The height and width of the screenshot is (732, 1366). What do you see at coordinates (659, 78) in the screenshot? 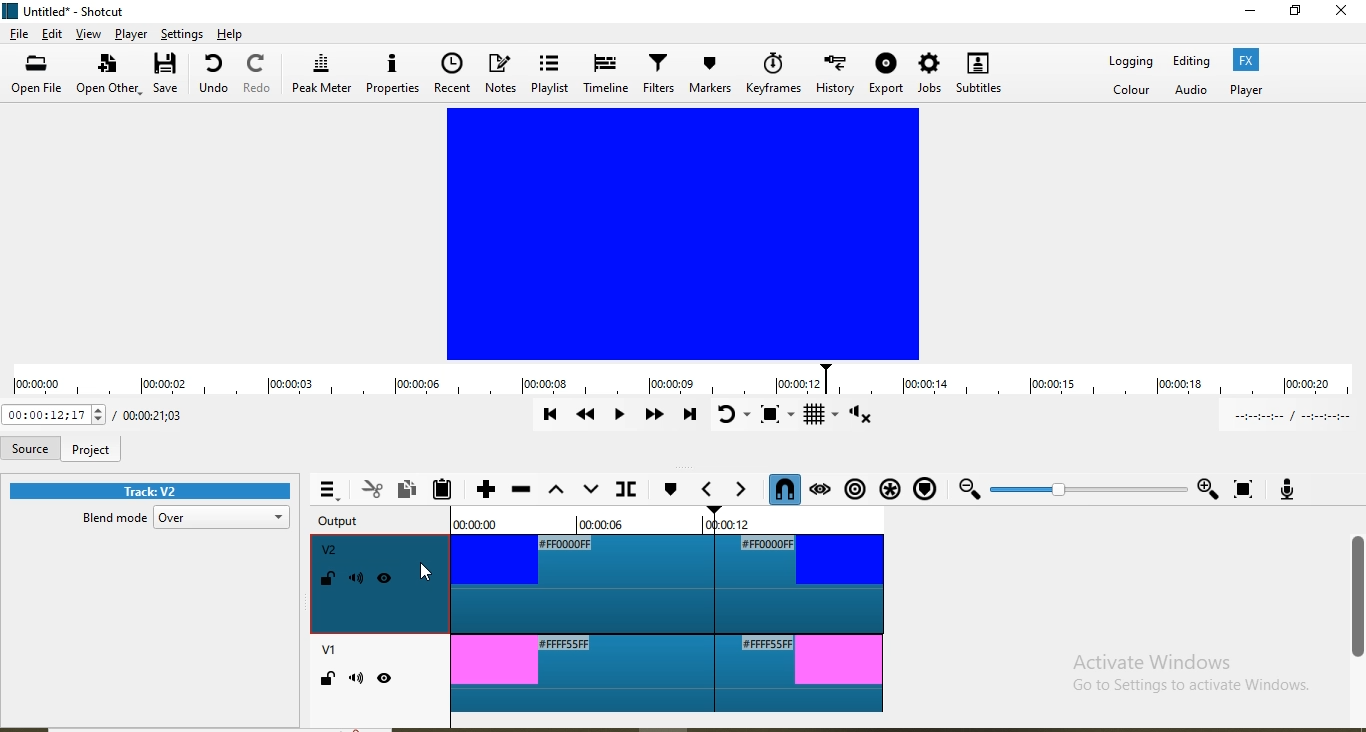
I see `Filters` at bounding box center [659, 78].